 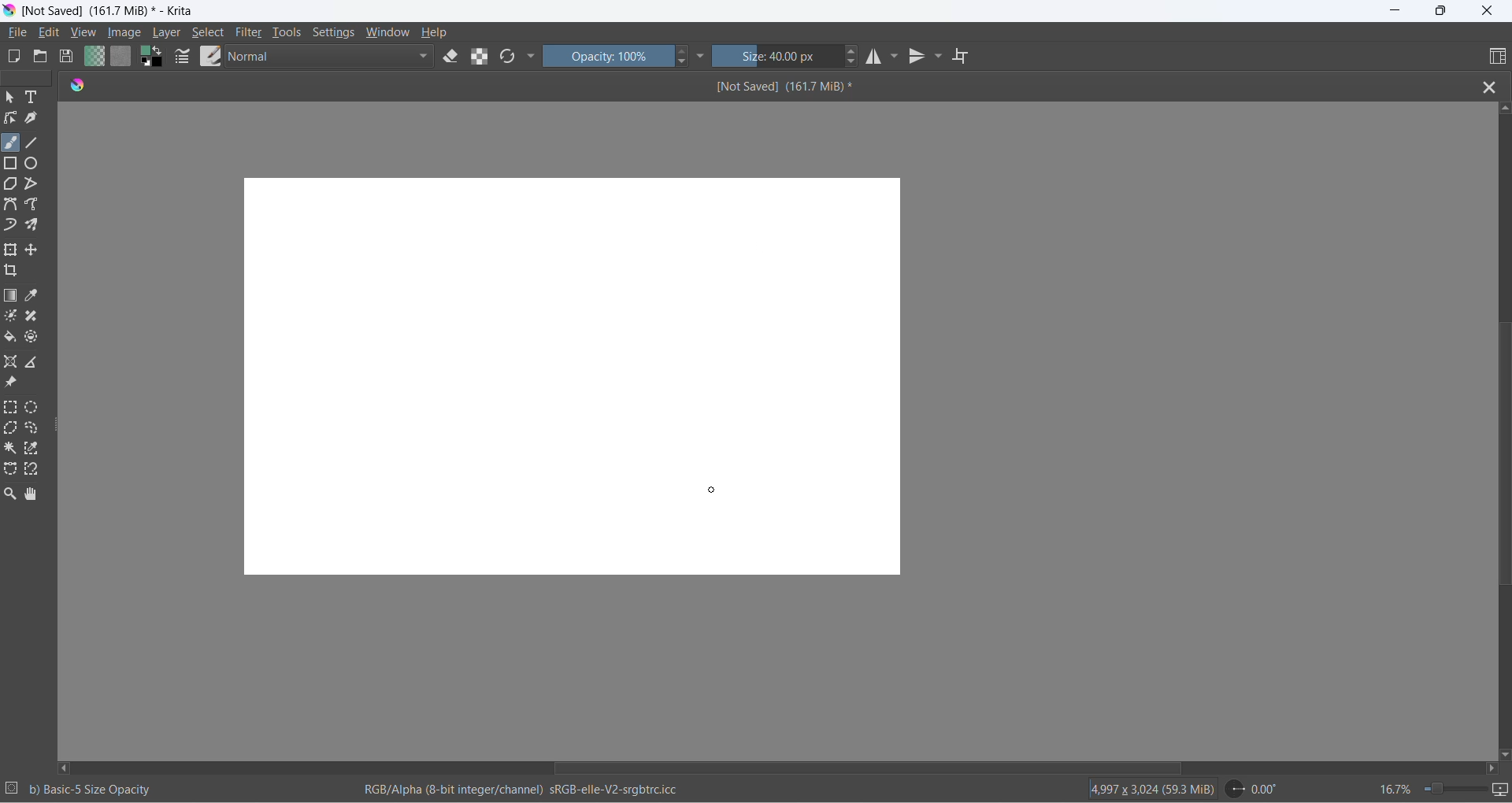 What do you see at coordinates (32, 185) in the screenshot?
I see `polyline tool` at bounding box center [32, 185].